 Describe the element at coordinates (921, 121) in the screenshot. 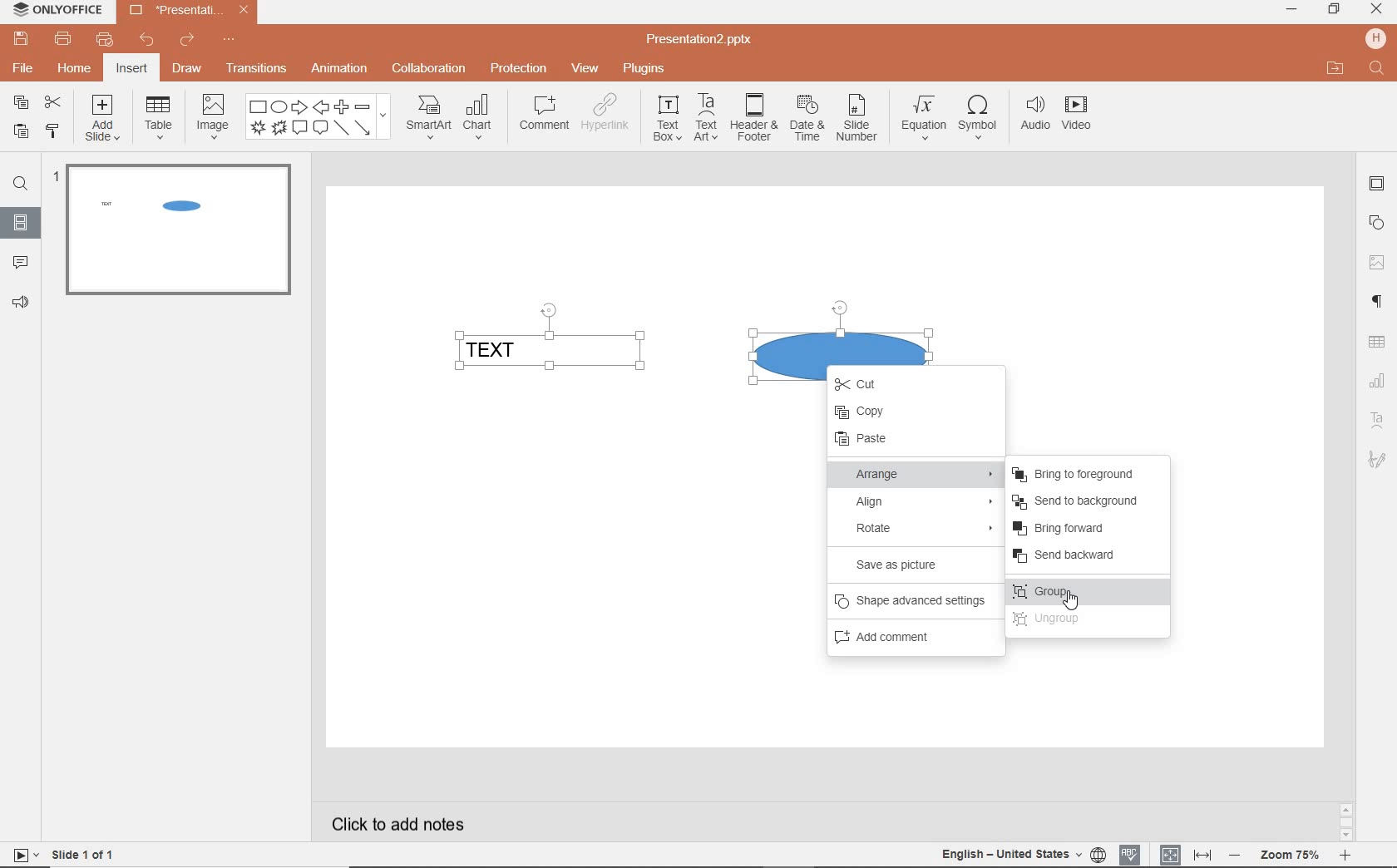

I see `equation` at that location.